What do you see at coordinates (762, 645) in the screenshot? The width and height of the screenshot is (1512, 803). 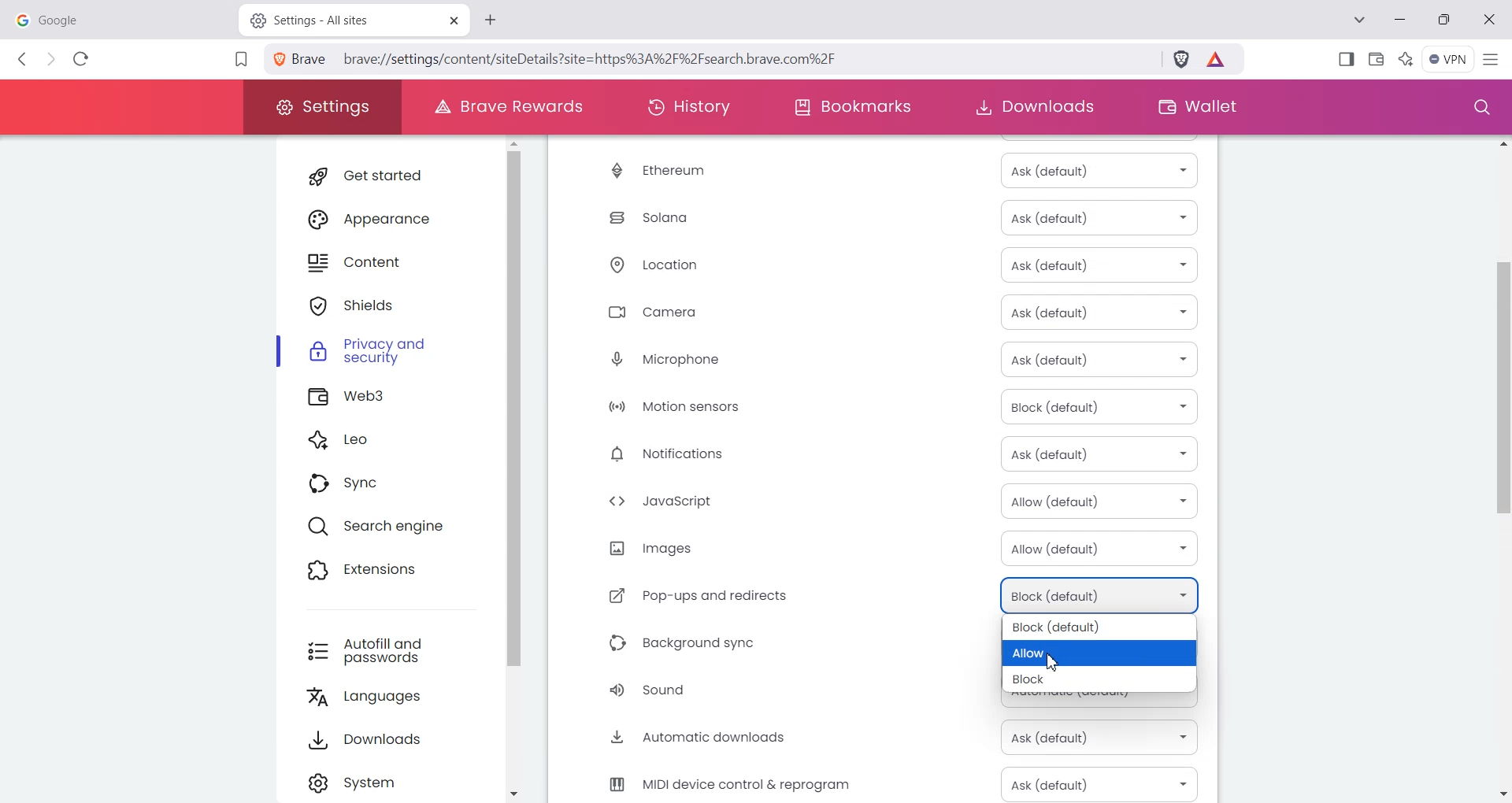 I see `Background sync Block (Default)` at bounding box center [762, 645].